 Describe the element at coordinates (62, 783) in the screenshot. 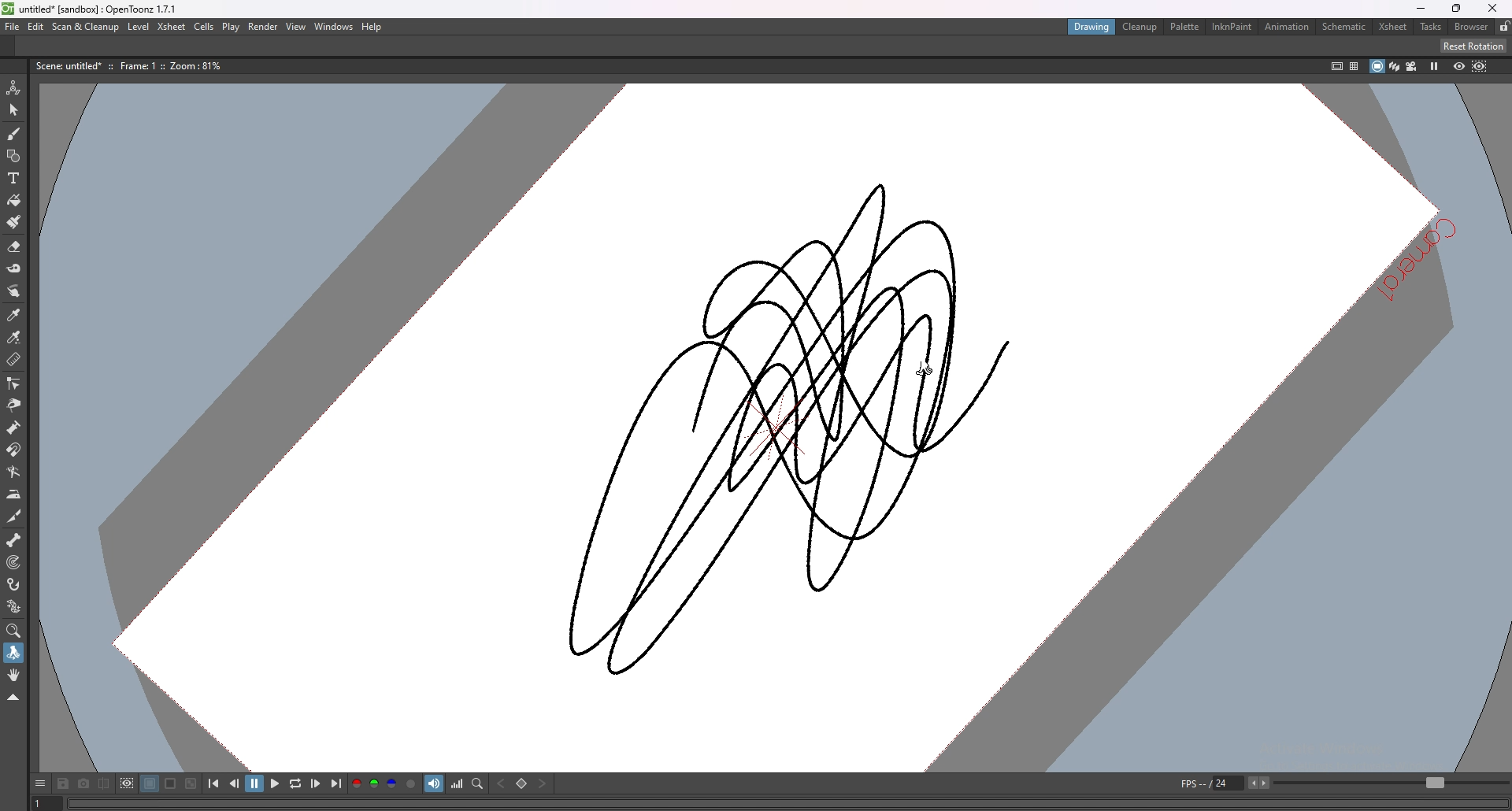

I see `save` at that location.